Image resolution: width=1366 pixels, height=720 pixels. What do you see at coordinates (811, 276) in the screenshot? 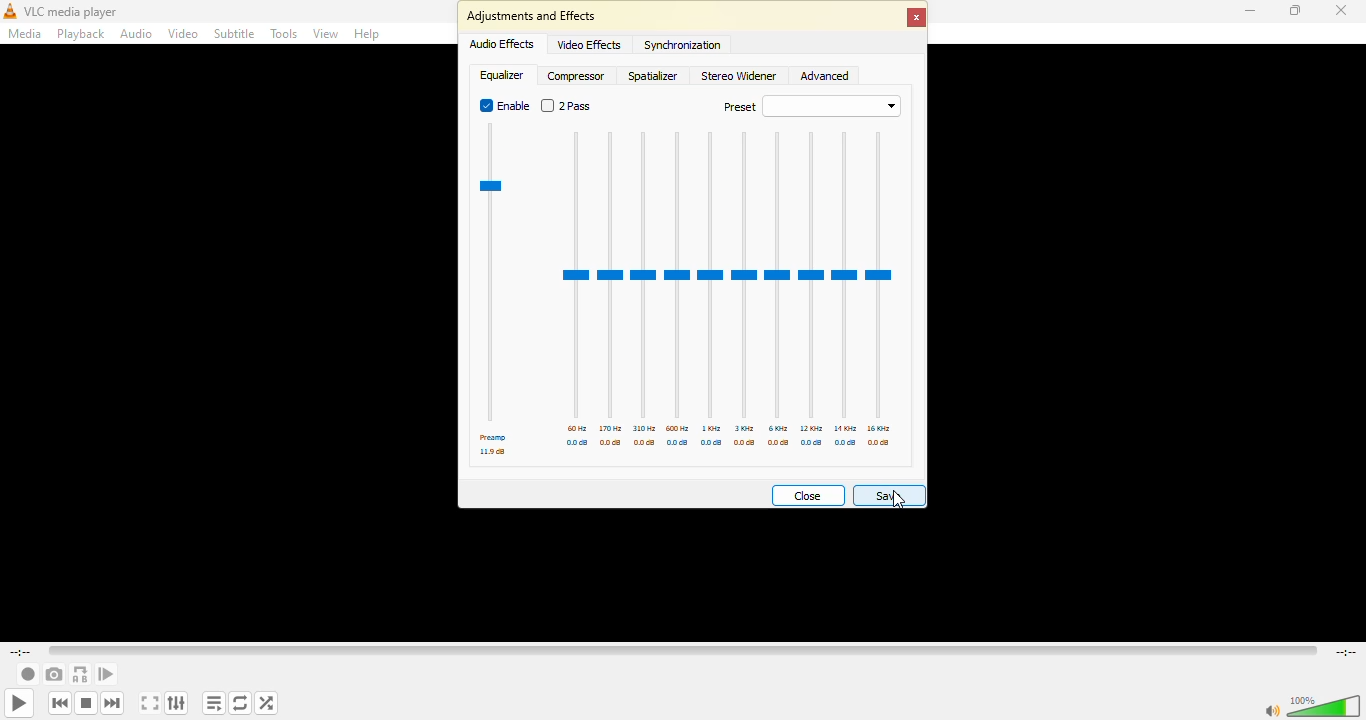
I see `adjustor` at bounding box center [811, 276].